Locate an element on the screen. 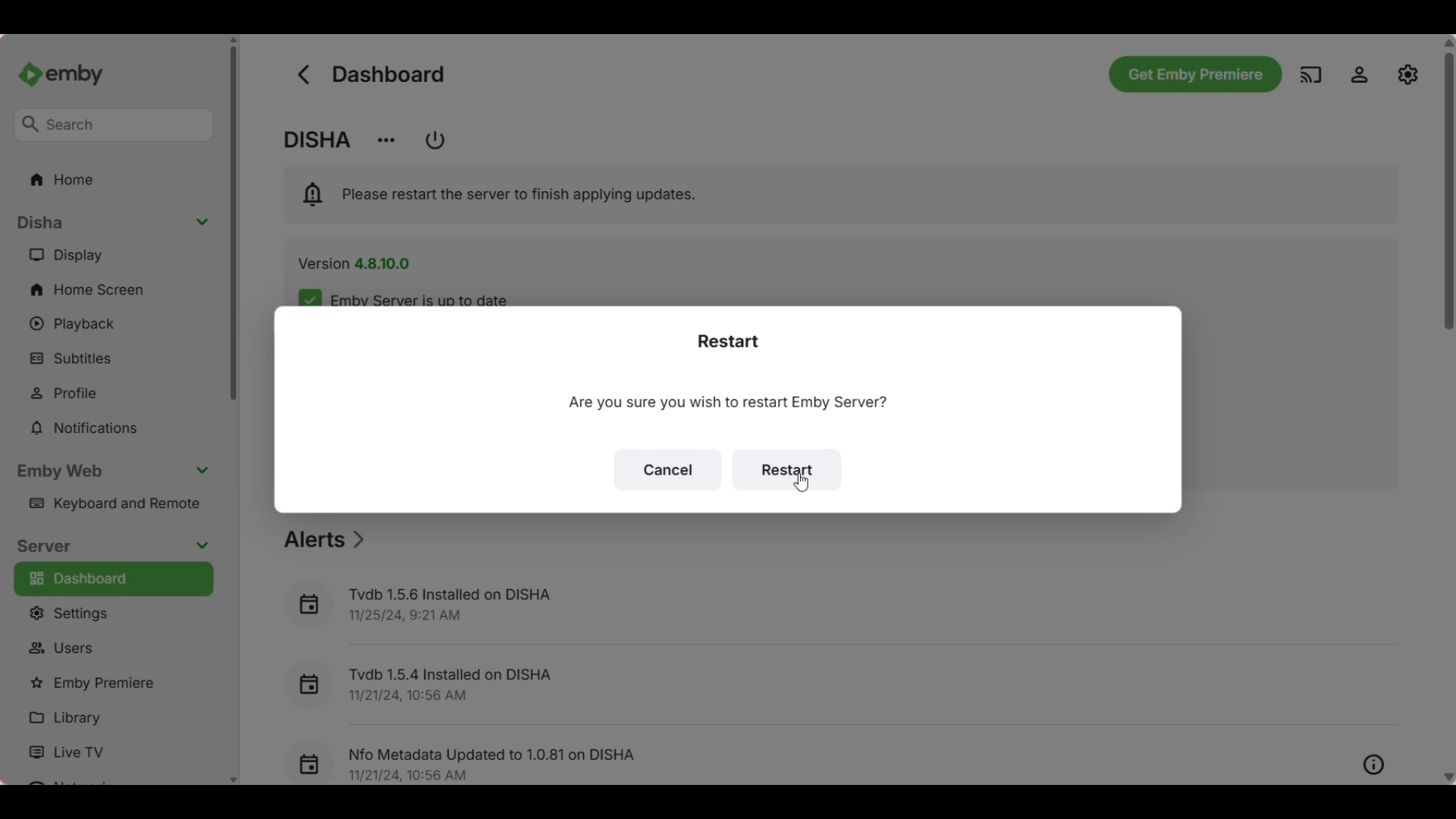 The image size is (1456, 819). Home folder is located at coordinates (115, 179).